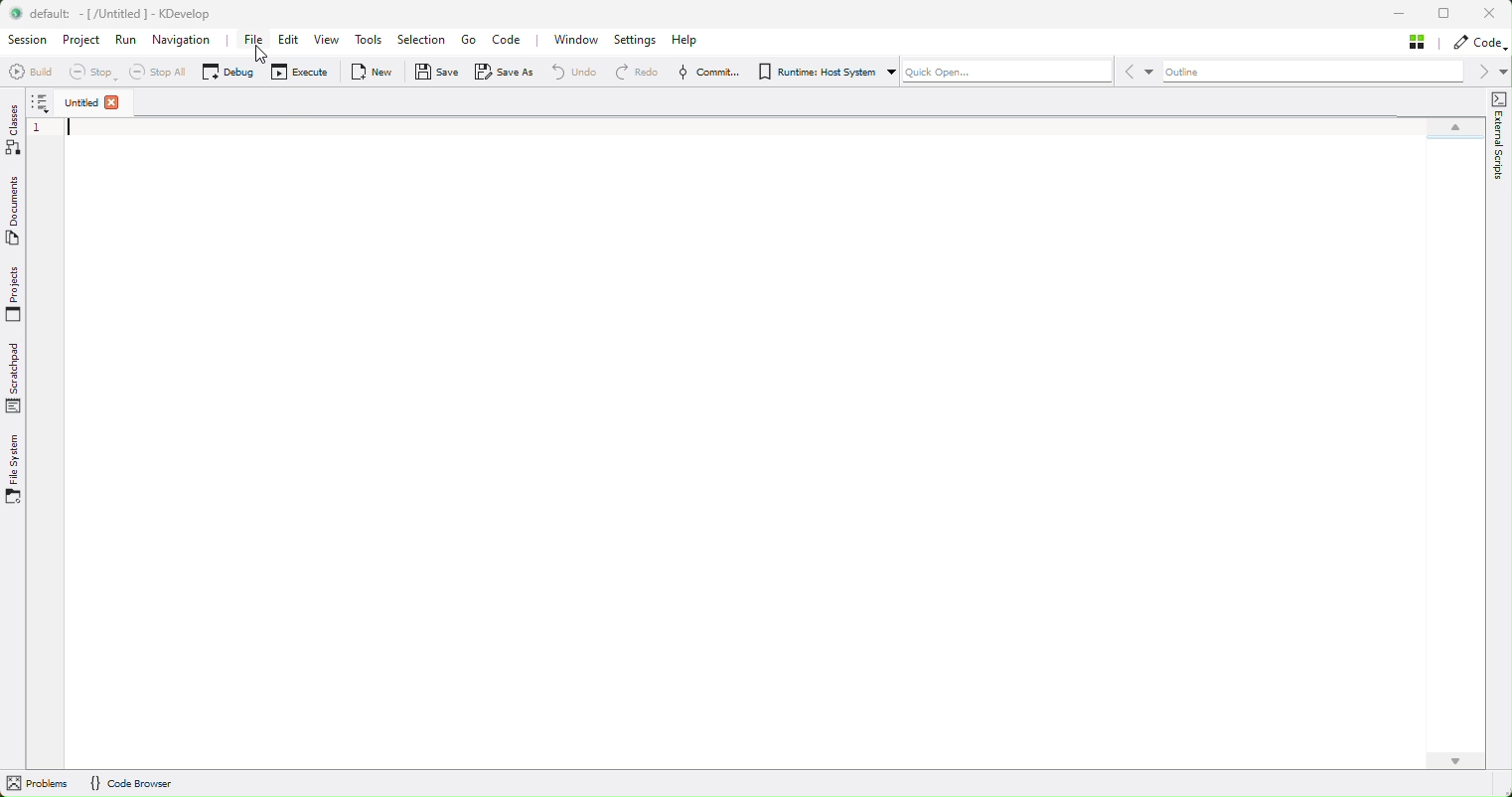 The width and height of the screenshot is (1512, 797). What do you see at coordinates (252, 42) in the screenshot?
I see `file` at bounding box center [252, 42].